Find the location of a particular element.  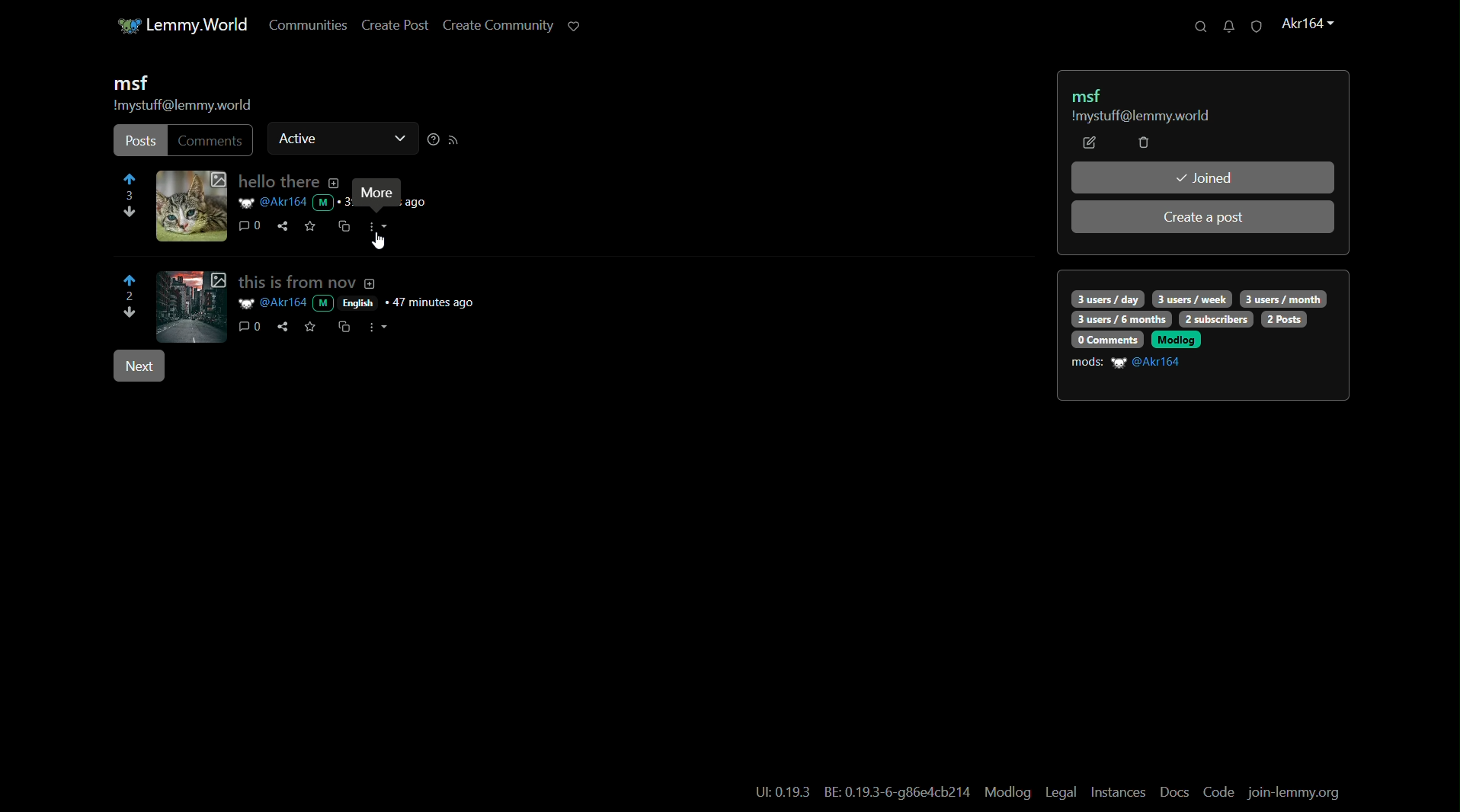

share is located at coordinates (281, 328).